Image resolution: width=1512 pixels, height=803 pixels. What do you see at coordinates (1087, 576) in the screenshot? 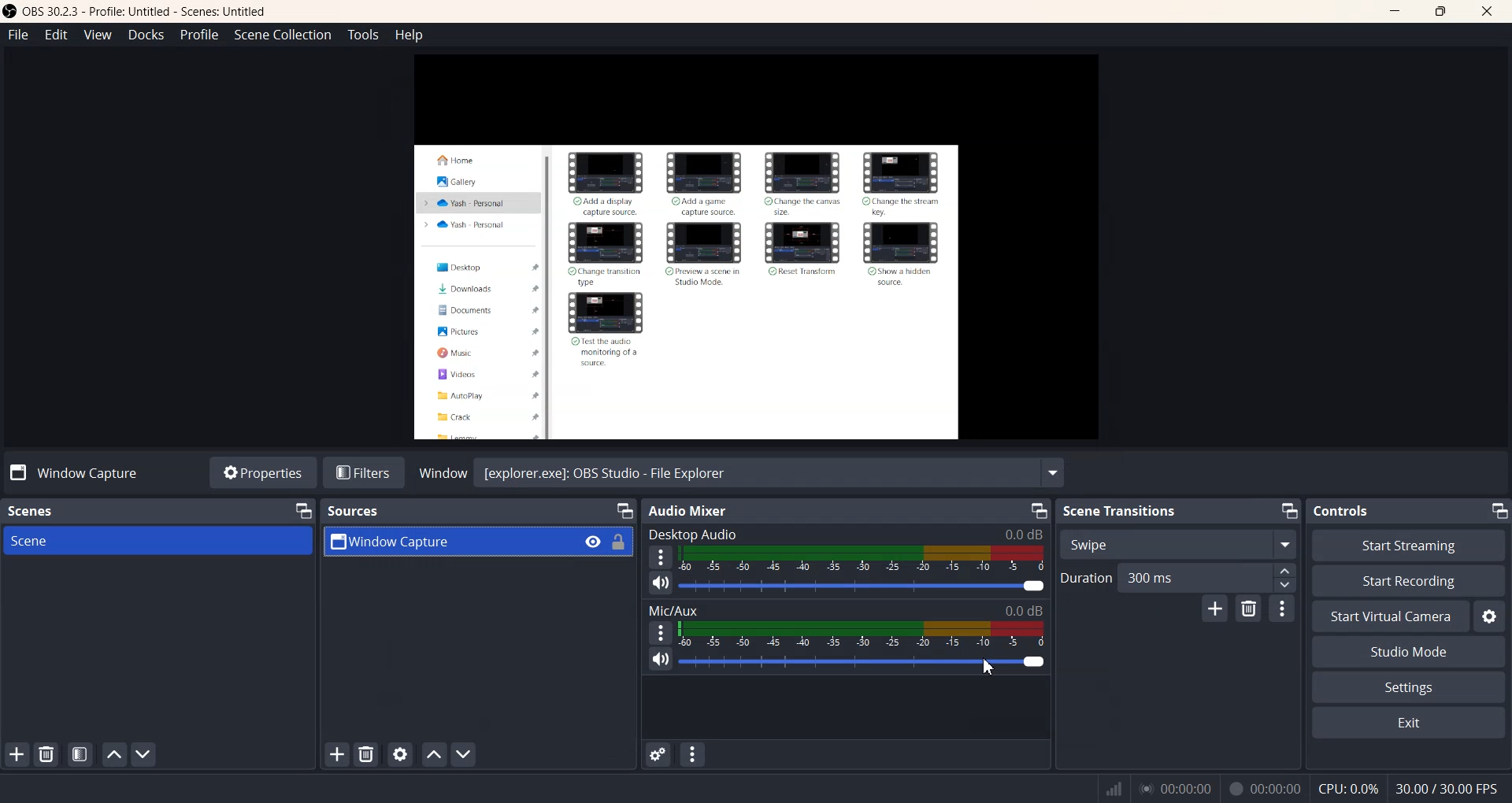
I see `Duration` at bounding box center [1087, 576].